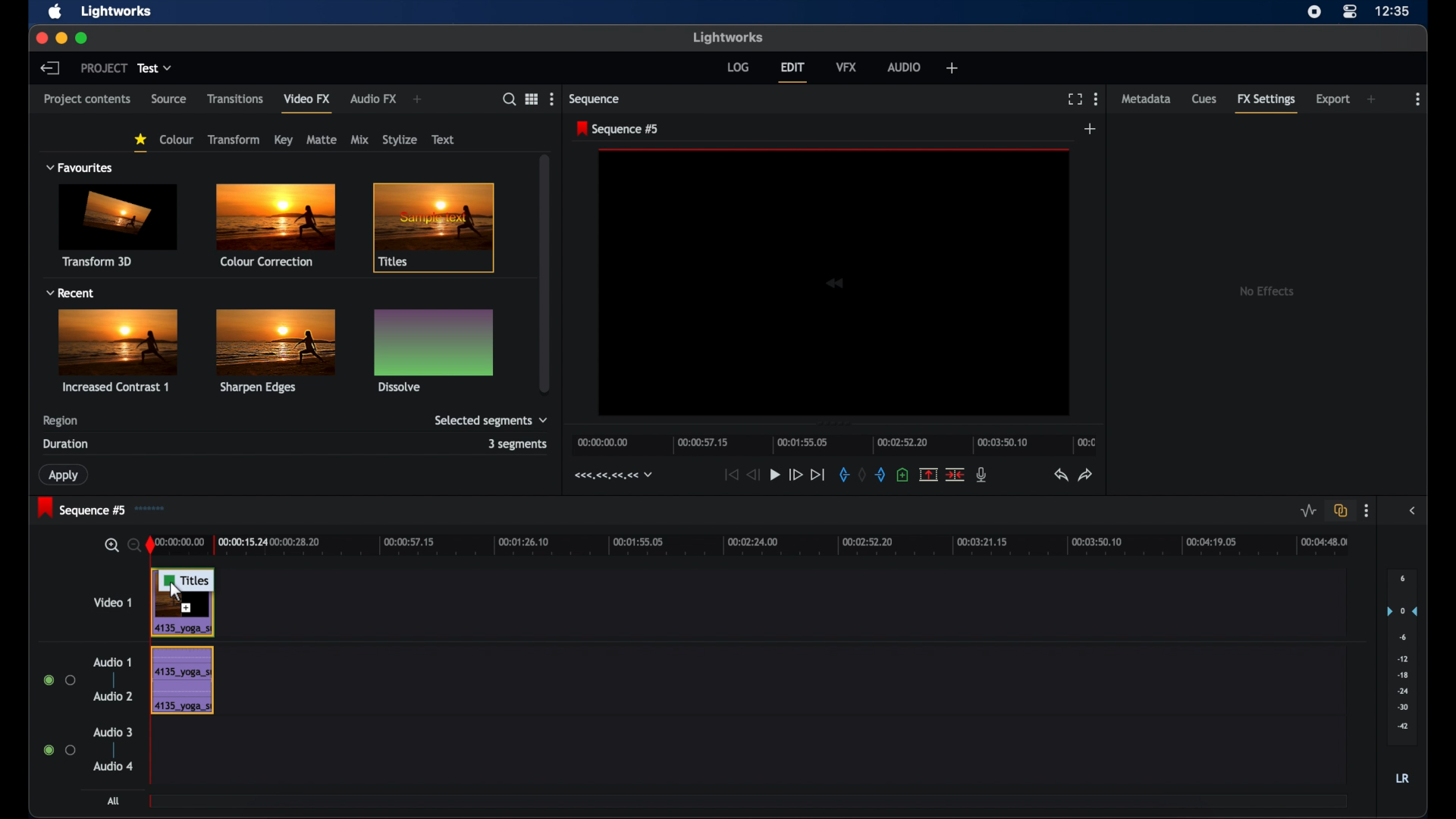  What do you see at coordinates (155, 68) in the screenshot?
I see `test dropdown` at bounding box center [155, 68].